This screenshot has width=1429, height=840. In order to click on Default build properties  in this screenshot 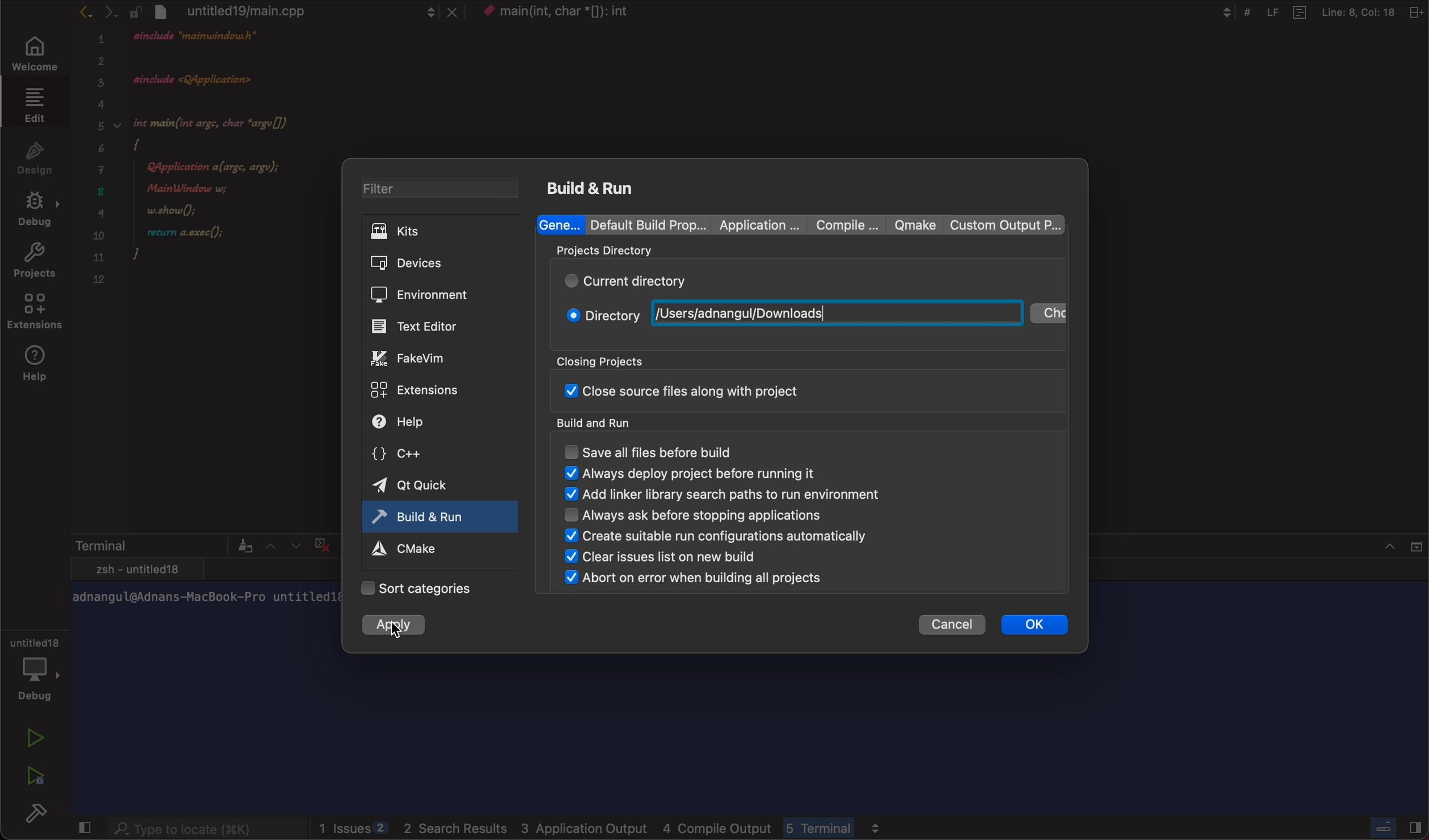, I will do `click(648, 224)`.